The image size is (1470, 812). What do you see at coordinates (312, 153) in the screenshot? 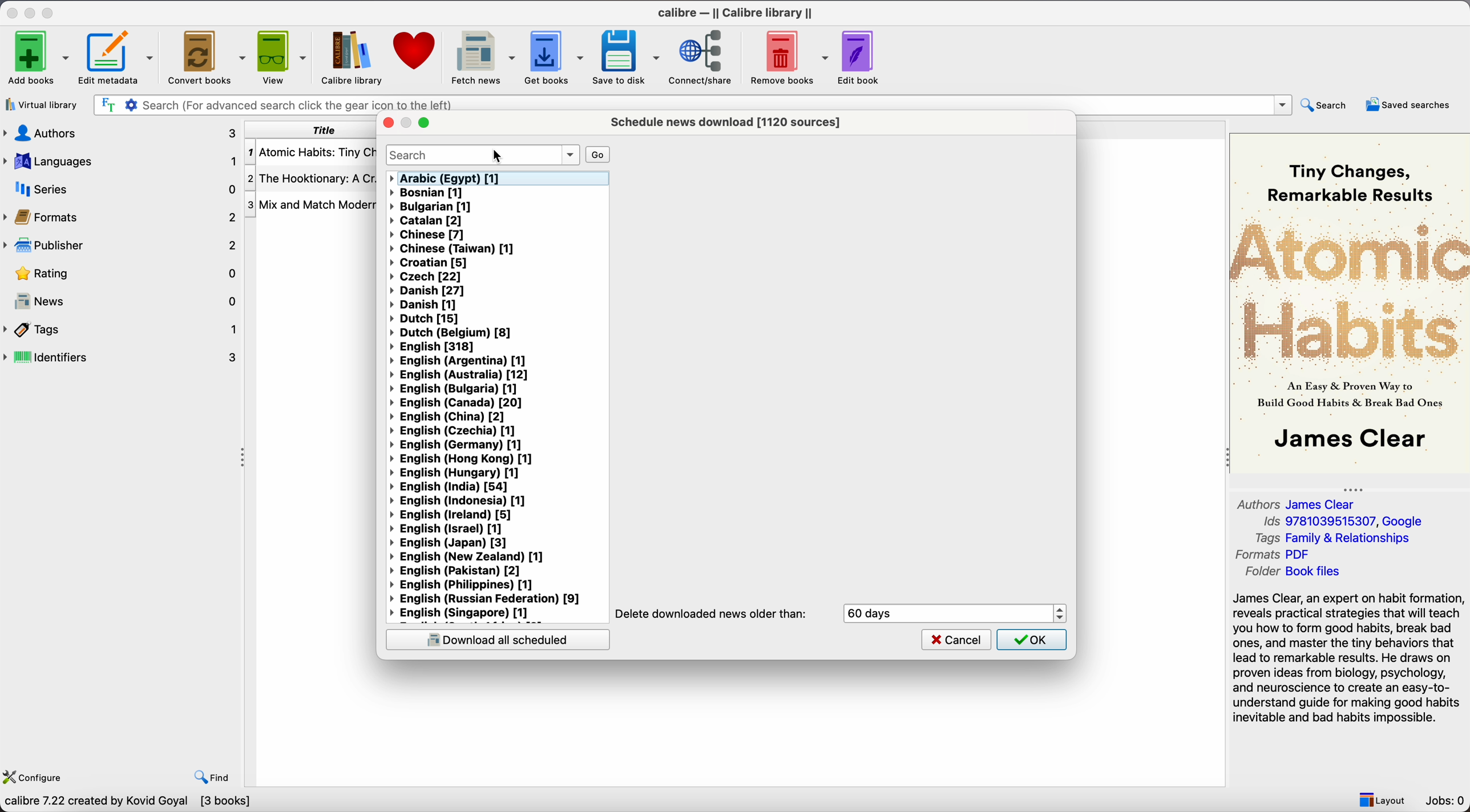
I see `Atomic Habits: Tiny Ch...` at bounding box center [312, 153].